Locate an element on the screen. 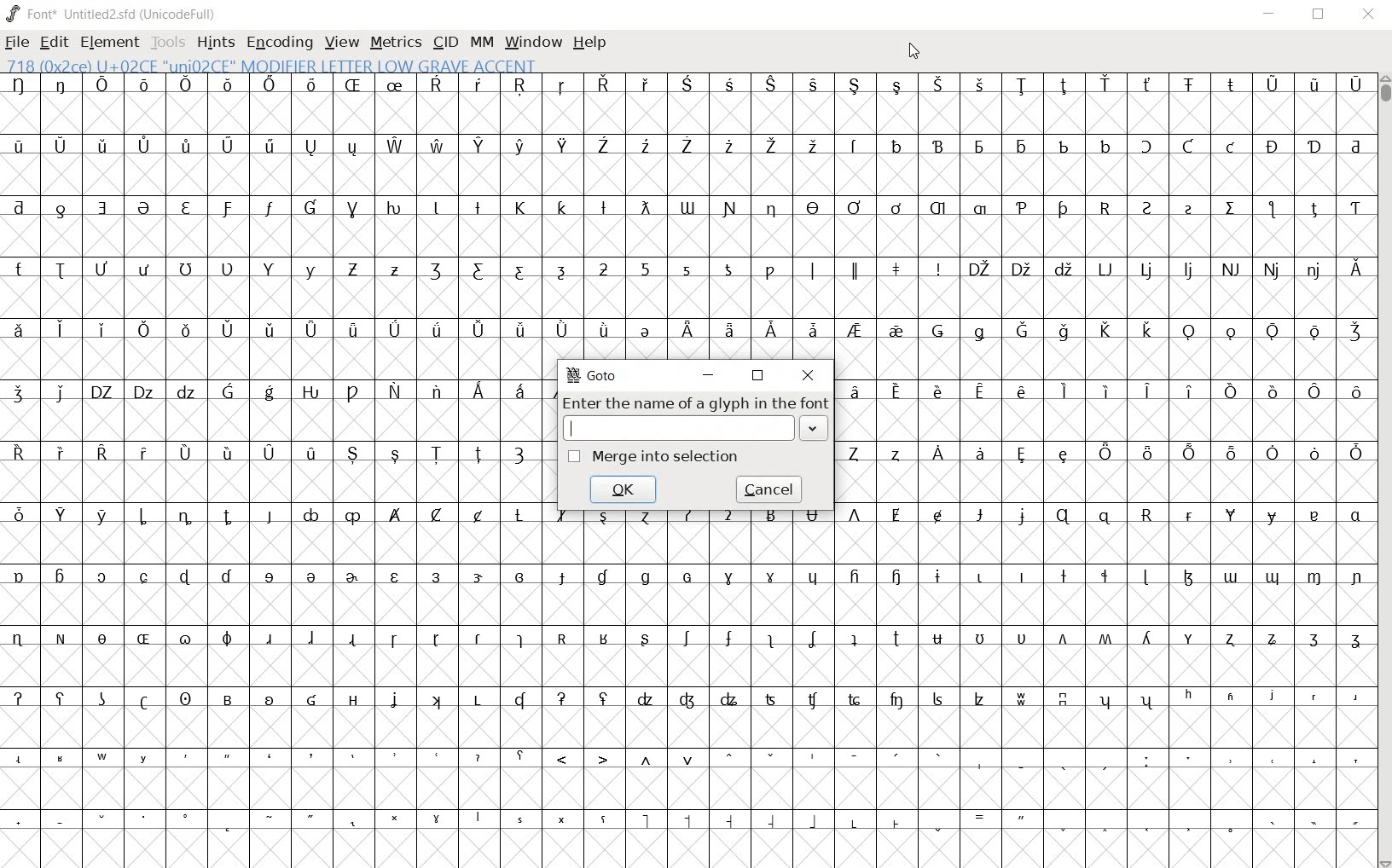 Image resolution: width=1392 pixels, height=868 pixels. cancel is located at coordinates (768, 489).